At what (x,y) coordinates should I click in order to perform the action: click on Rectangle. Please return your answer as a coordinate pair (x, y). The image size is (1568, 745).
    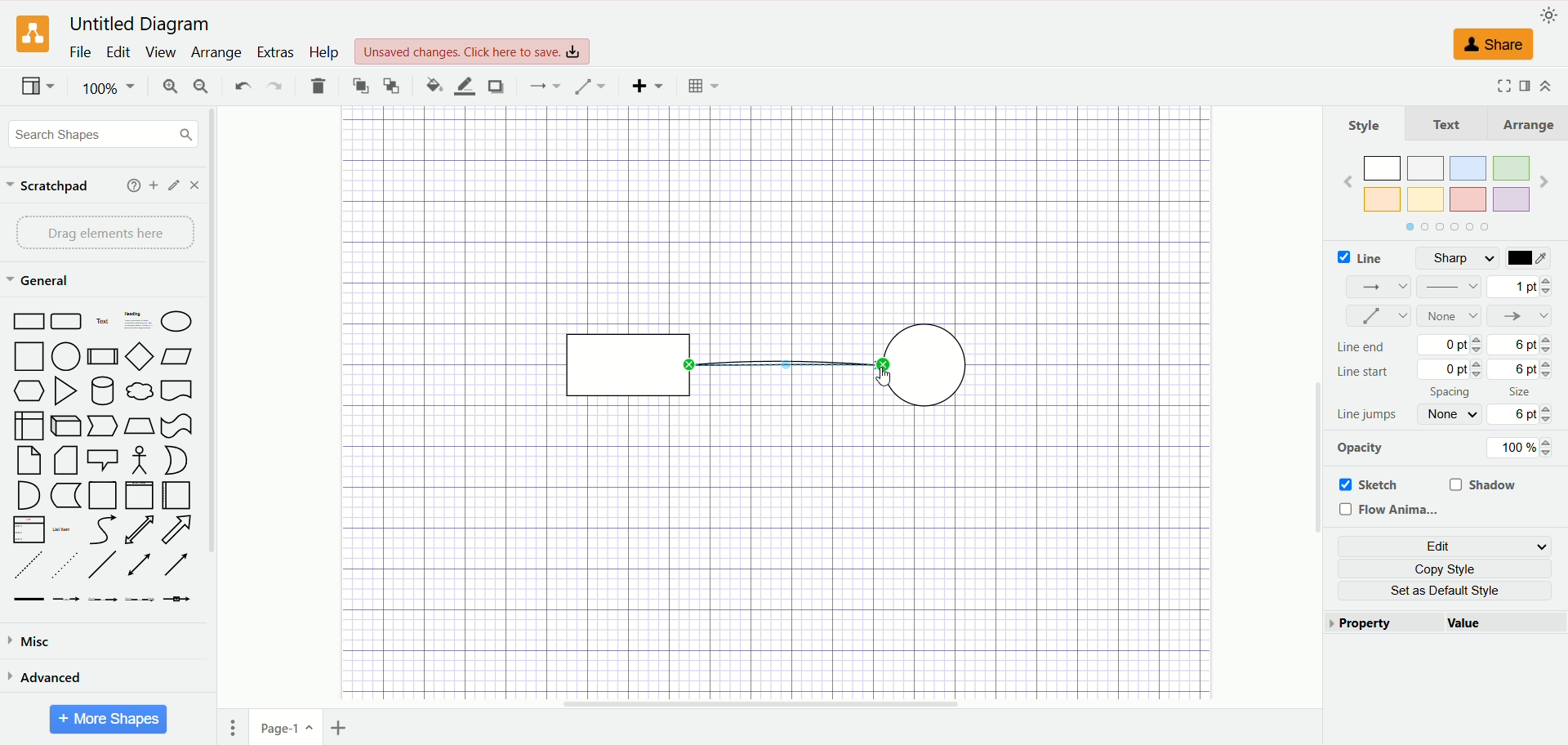
    Looking at the image, I should click on (30, 321).